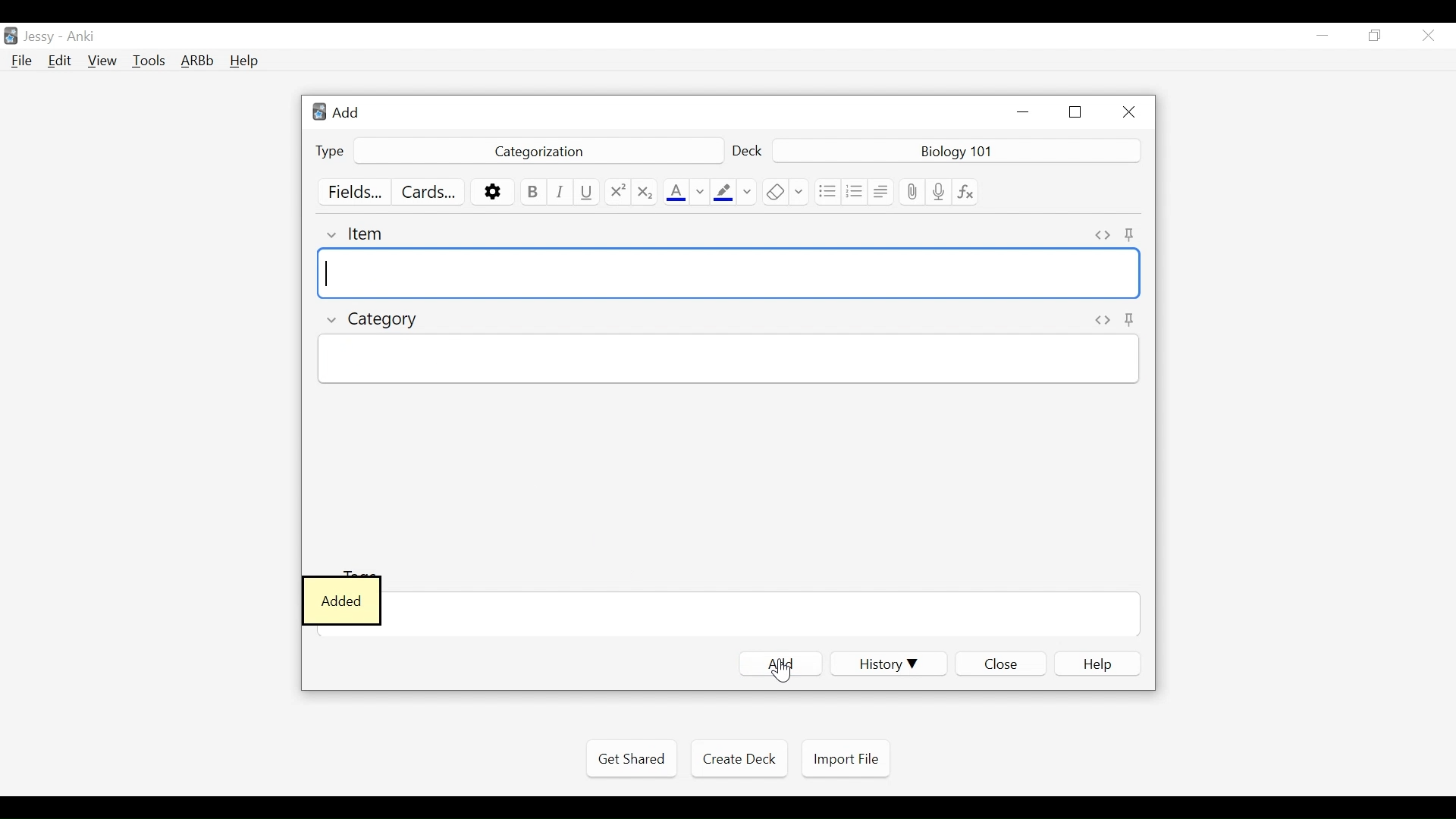  What do you see at coordinates (748, 152) in the screenshot?
I see `Deck` at bounding box center [748, 152].